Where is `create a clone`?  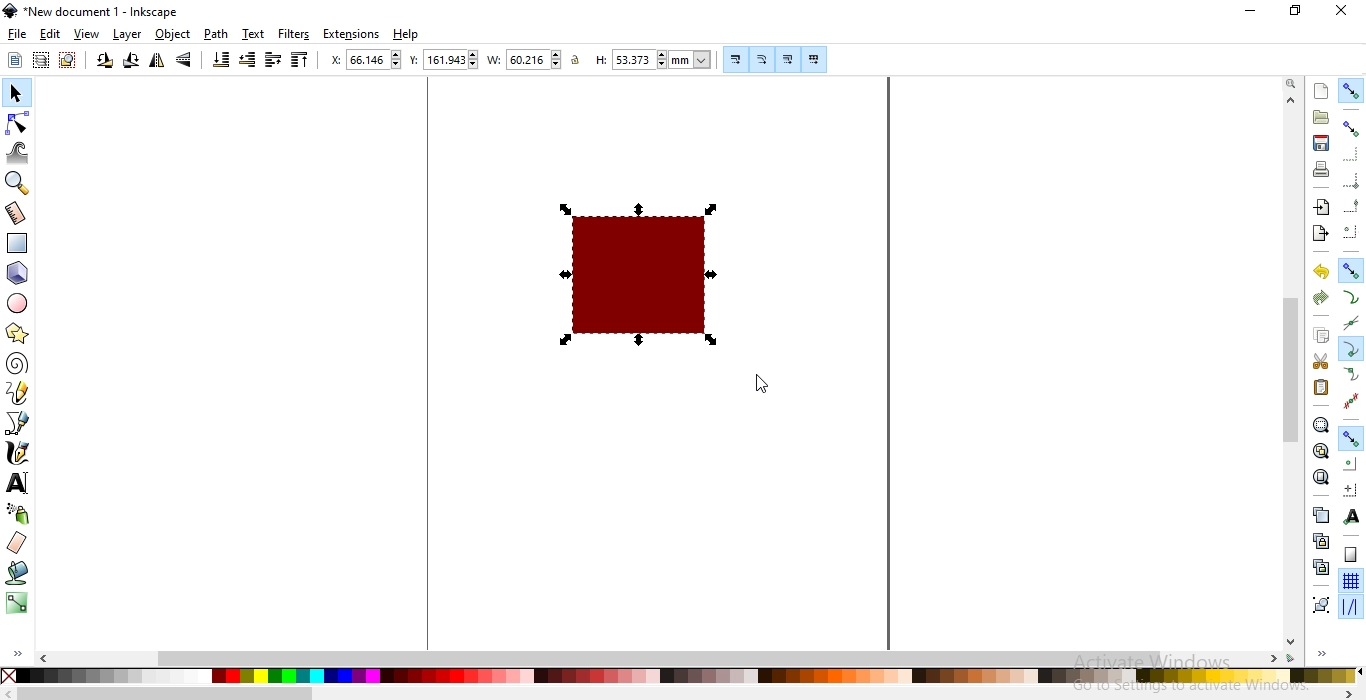 create a clone is located at coordinates (1322, 539).